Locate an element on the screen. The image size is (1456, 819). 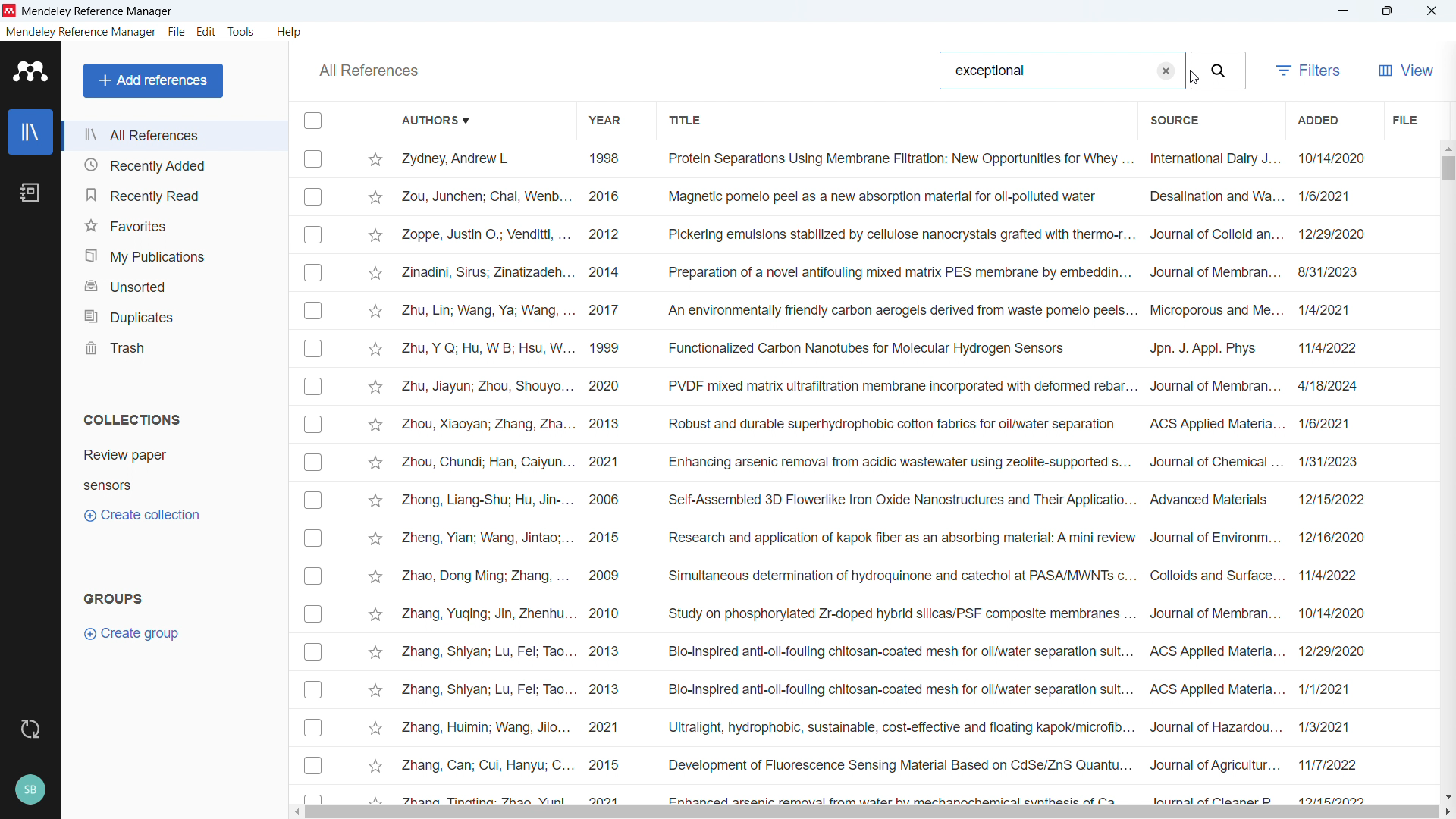
Groups  is located at coordinates (114, 598).